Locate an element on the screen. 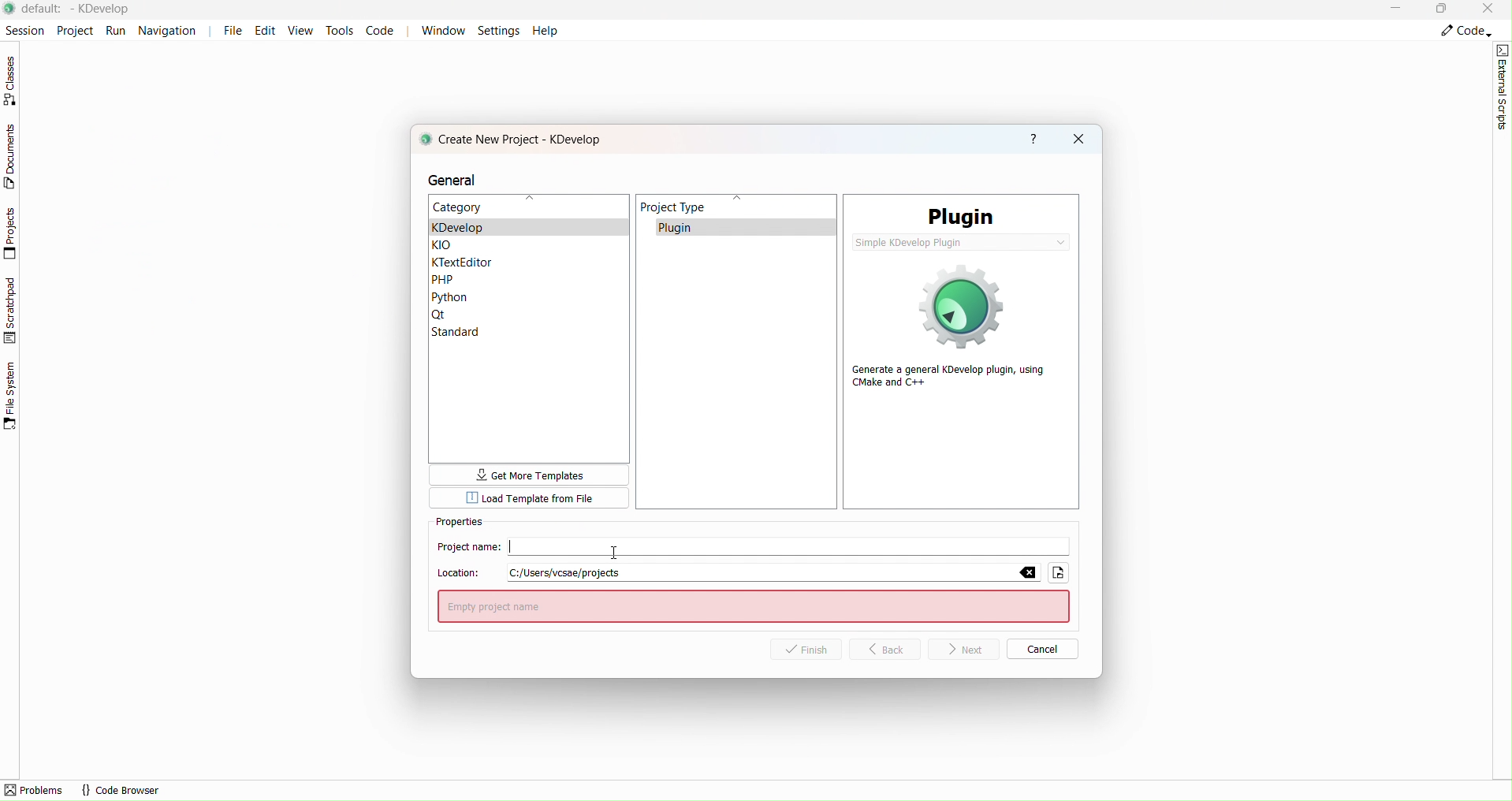 This screenshot has width=1512, height=801. Classes is located at coordinates (15, 80).